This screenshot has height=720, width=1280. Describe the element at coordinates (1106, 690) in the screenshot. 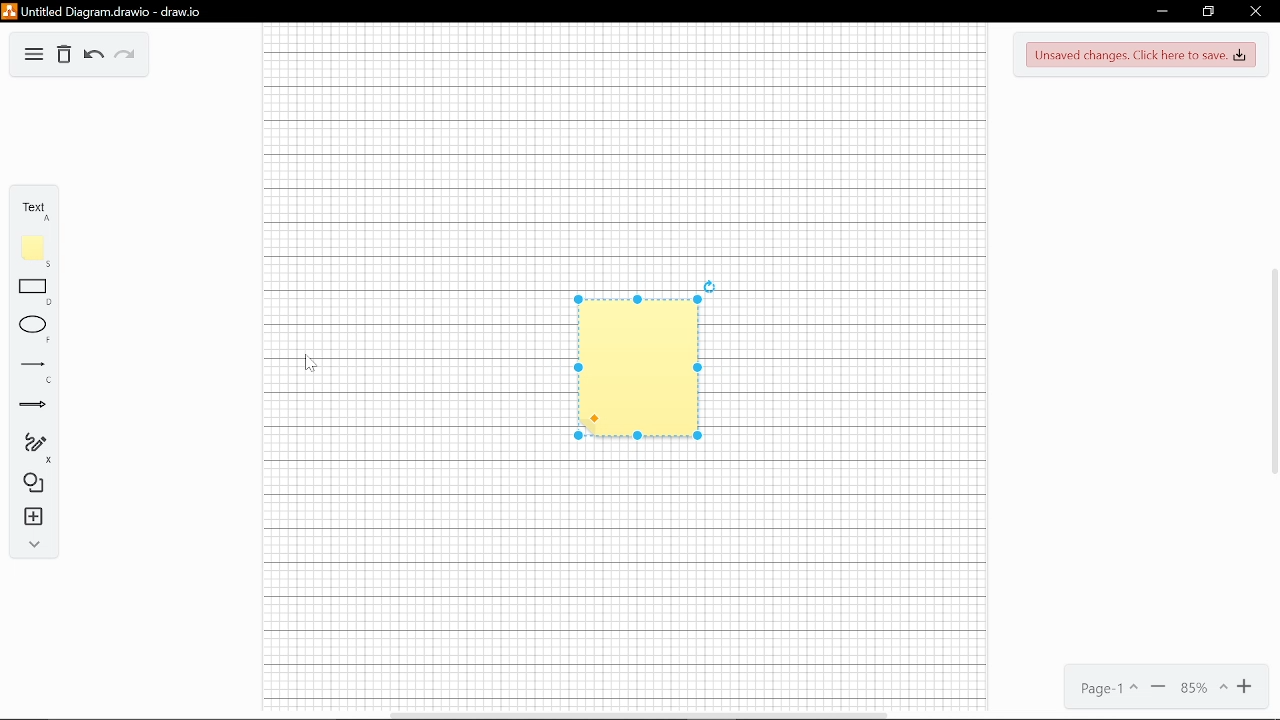

I see `Page 1` at that location.